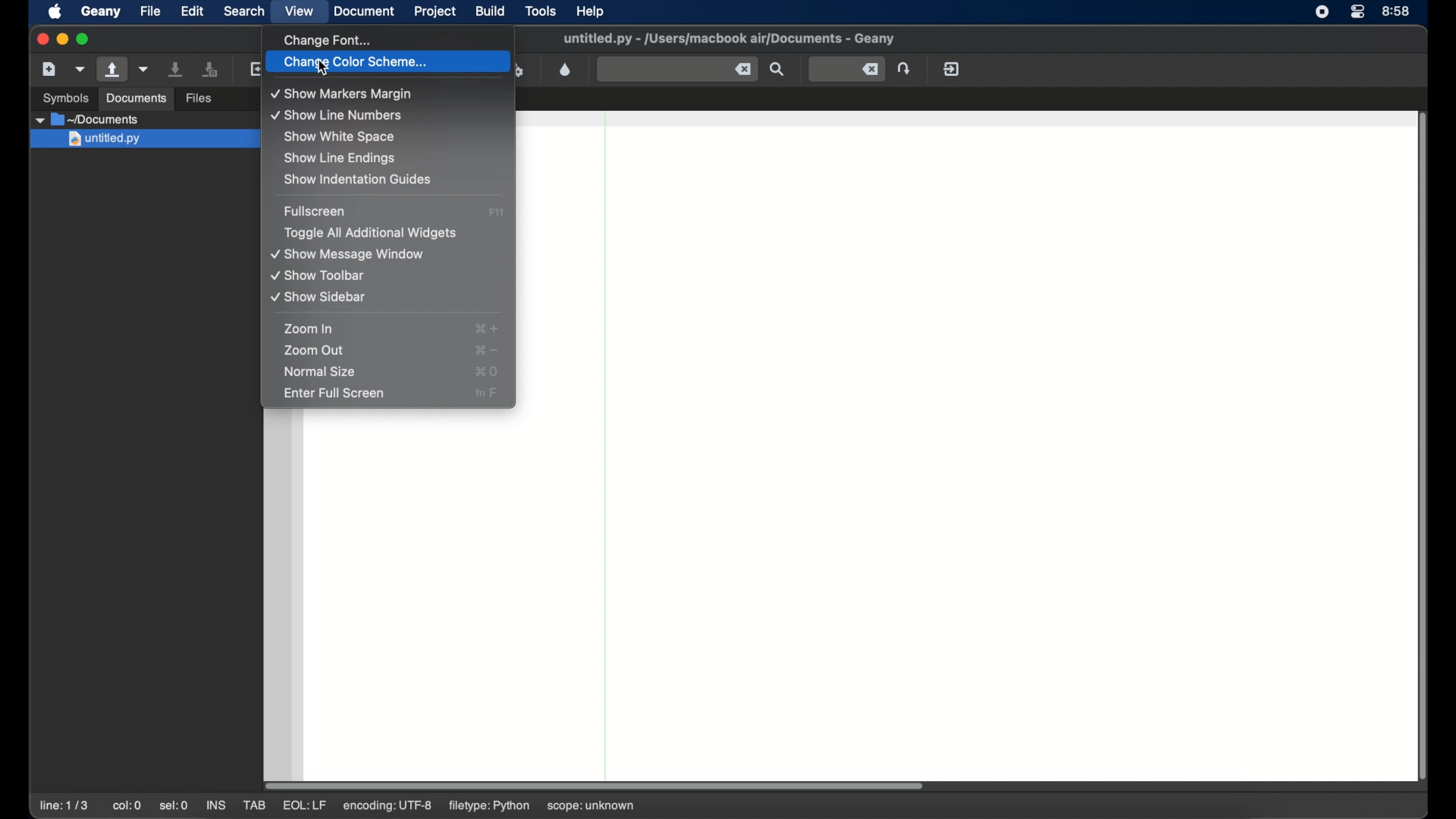  Describe the element at coordinates (177, 70) in the screenshot. I see `save the current file` at that location.